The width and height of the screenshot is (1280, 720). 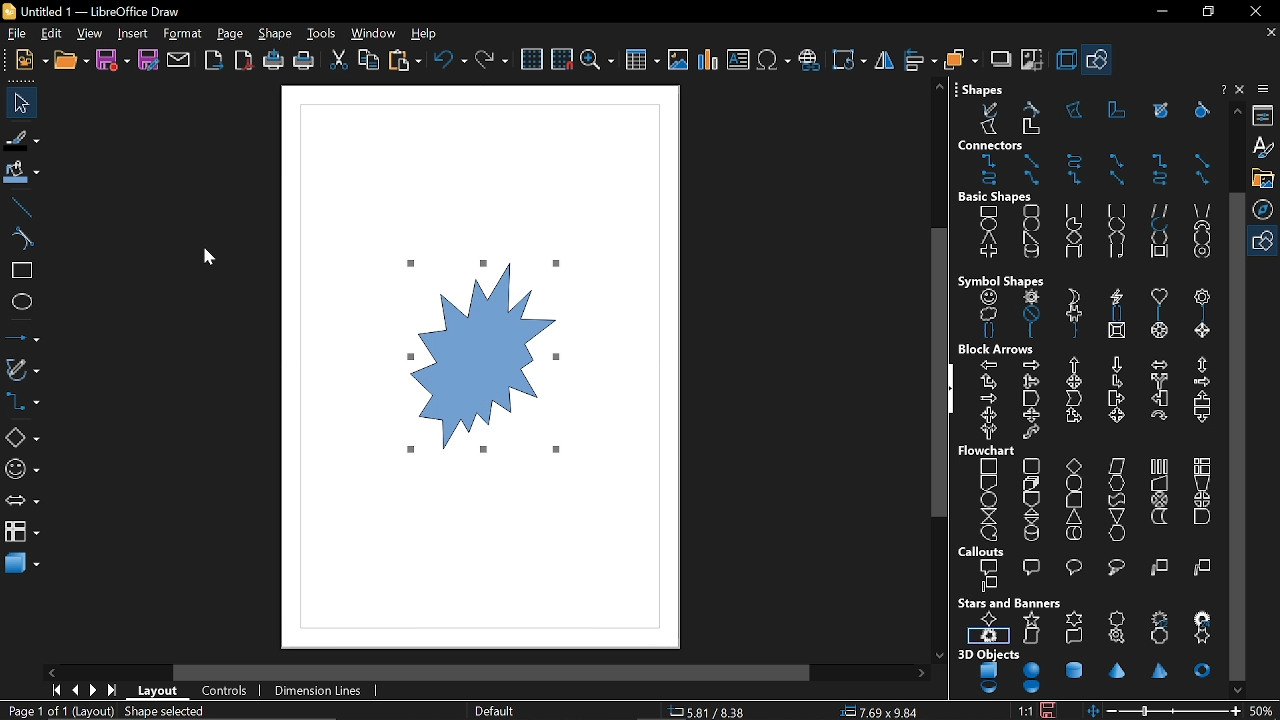 I want to click on view, so click(x=92, y=34).